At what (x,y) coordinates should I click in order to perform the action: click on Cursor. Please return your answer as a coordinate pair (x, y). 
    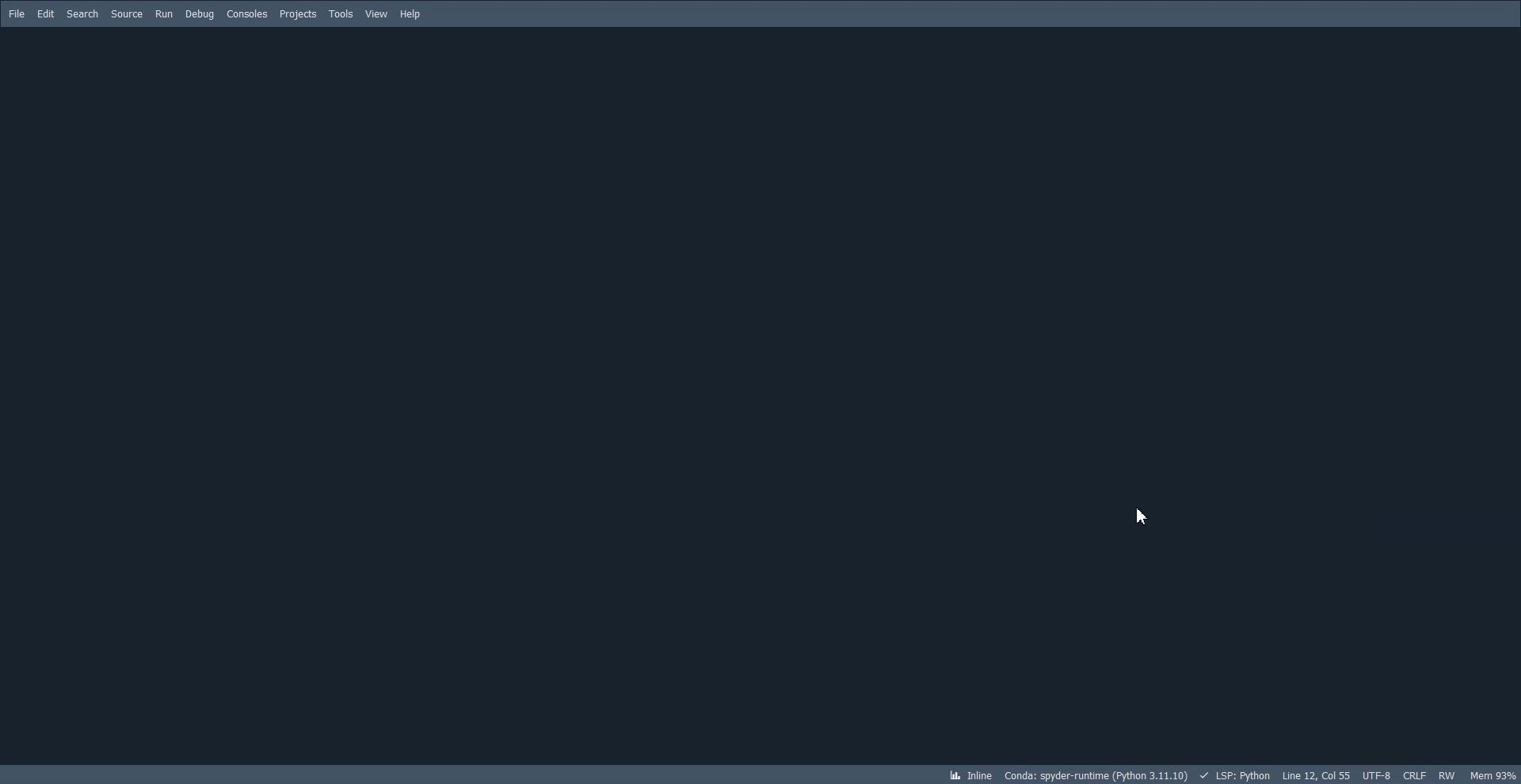
    Looking at the image, I should click on (1142, 514).